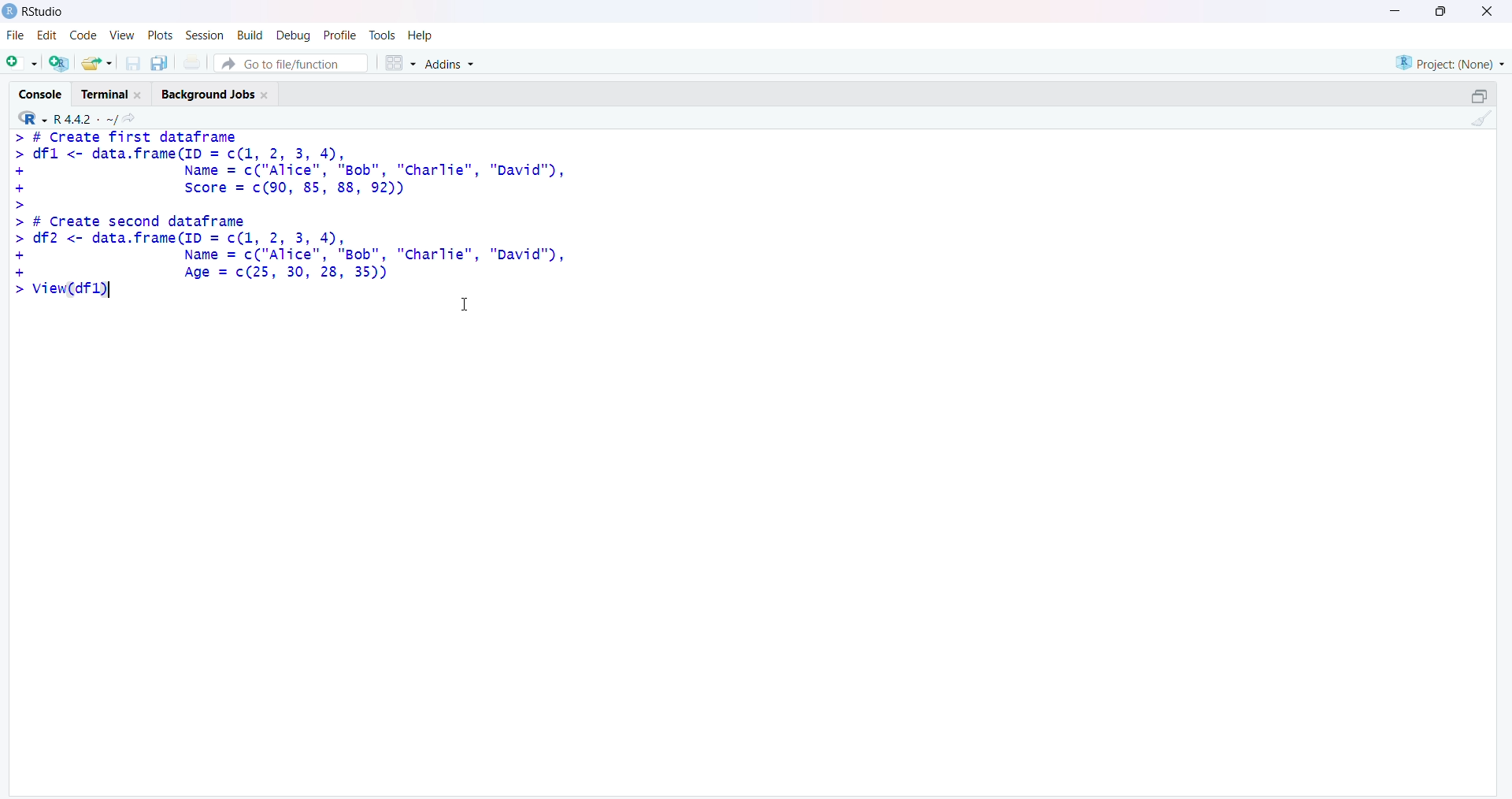  Describe the element at coordinates (339, 35) in the screenshot. I see `profile` at that location.